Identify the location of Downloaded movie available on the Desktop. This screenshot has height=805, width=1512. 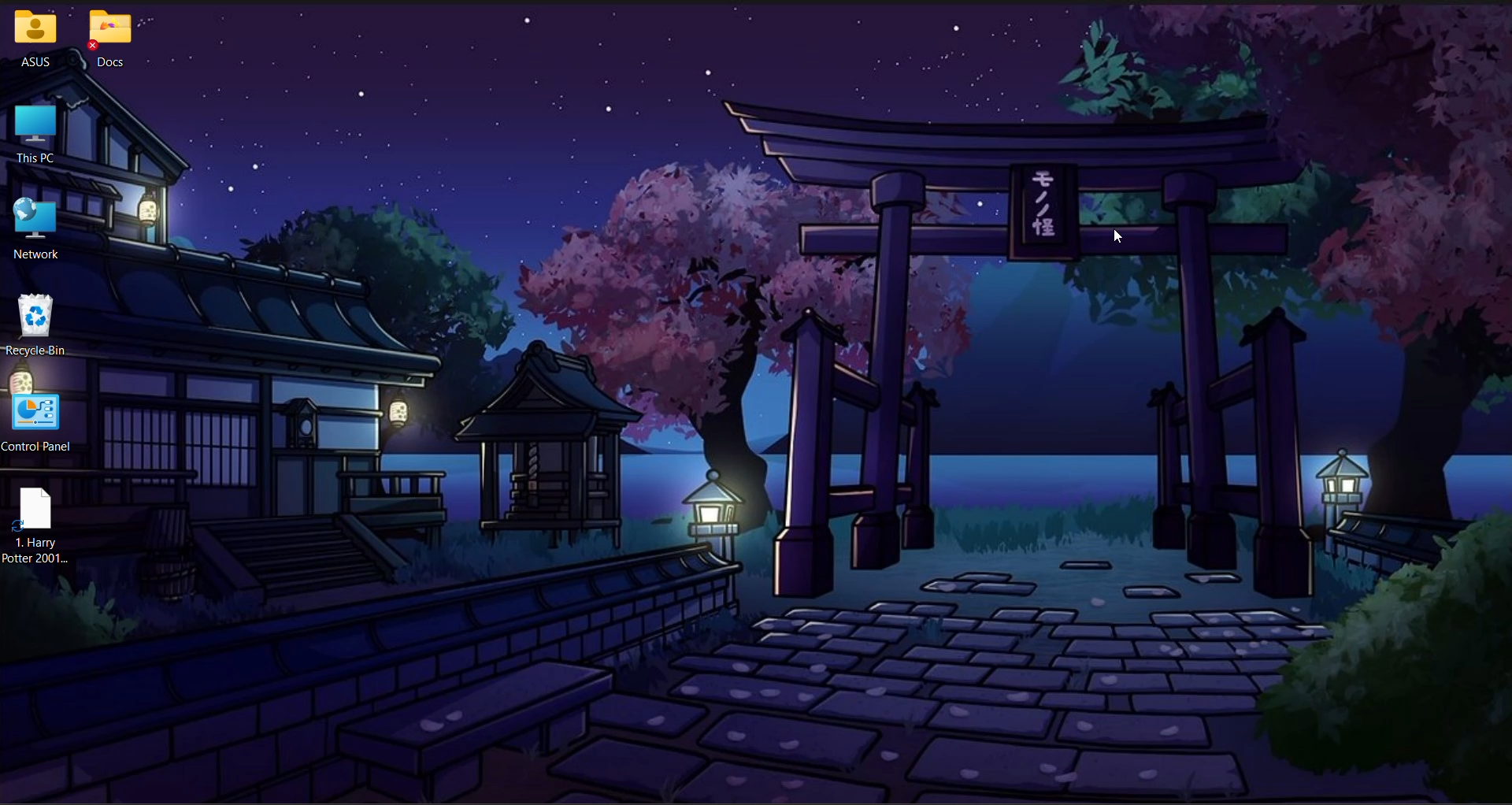
(39, 525).